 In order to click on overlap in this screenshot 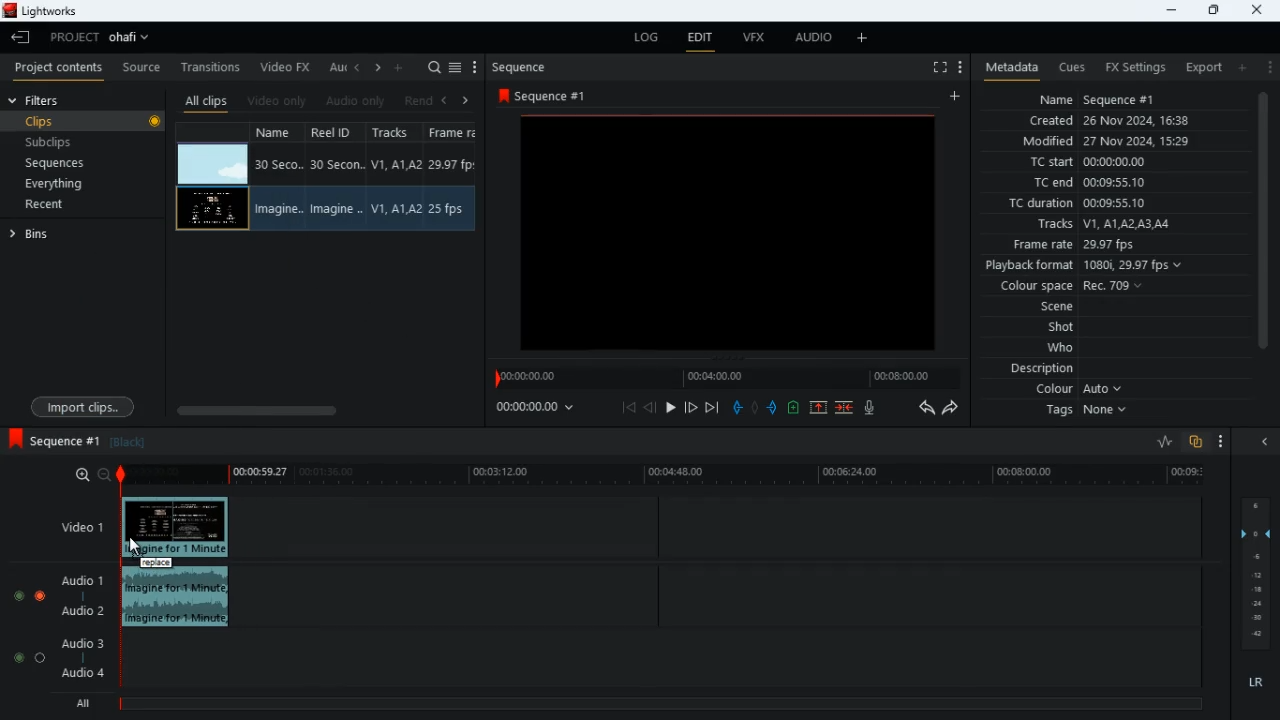, I will do `click(1197, 443)`.